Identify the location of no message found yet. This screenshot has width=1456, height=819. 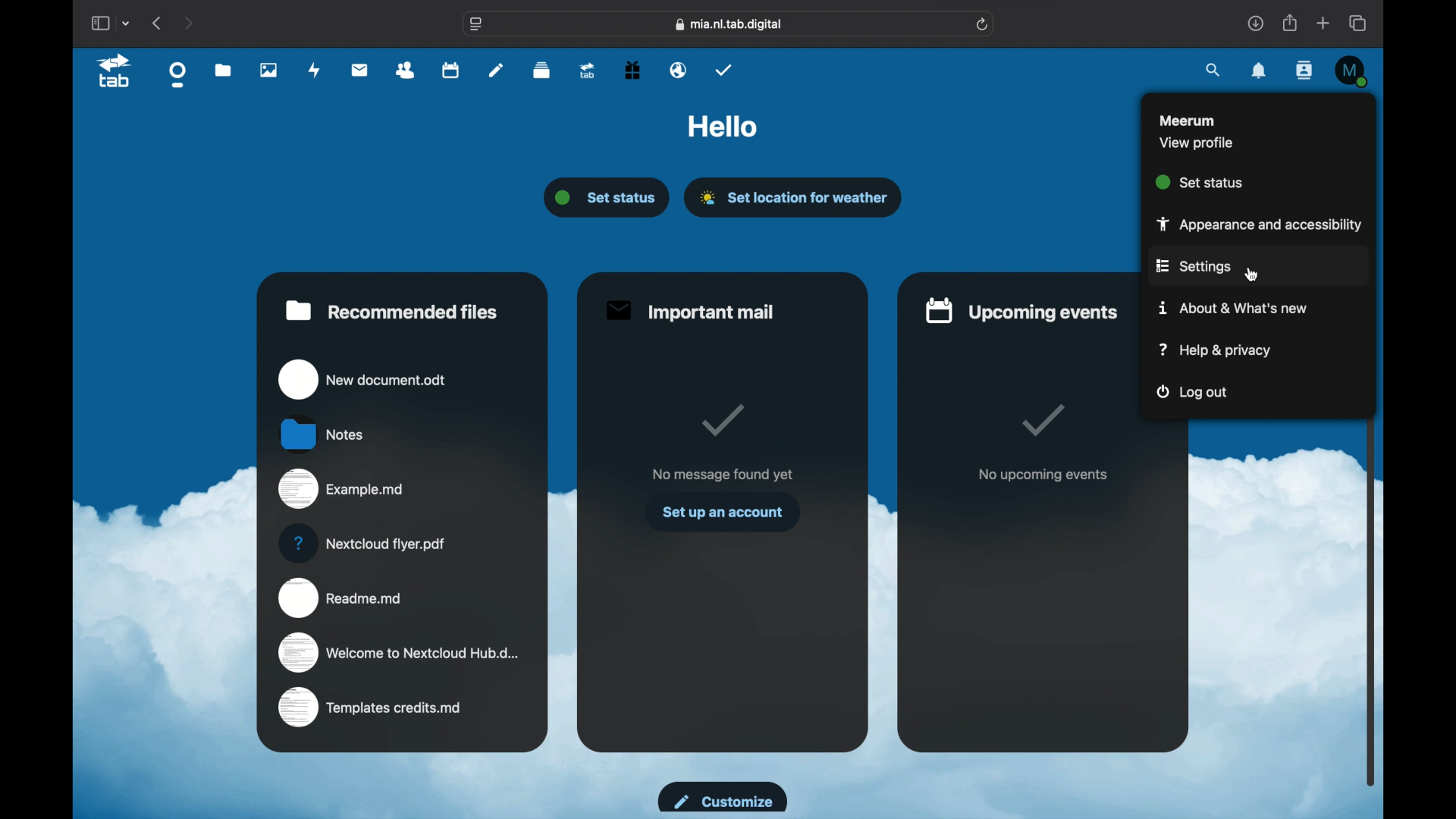
(723, 475).